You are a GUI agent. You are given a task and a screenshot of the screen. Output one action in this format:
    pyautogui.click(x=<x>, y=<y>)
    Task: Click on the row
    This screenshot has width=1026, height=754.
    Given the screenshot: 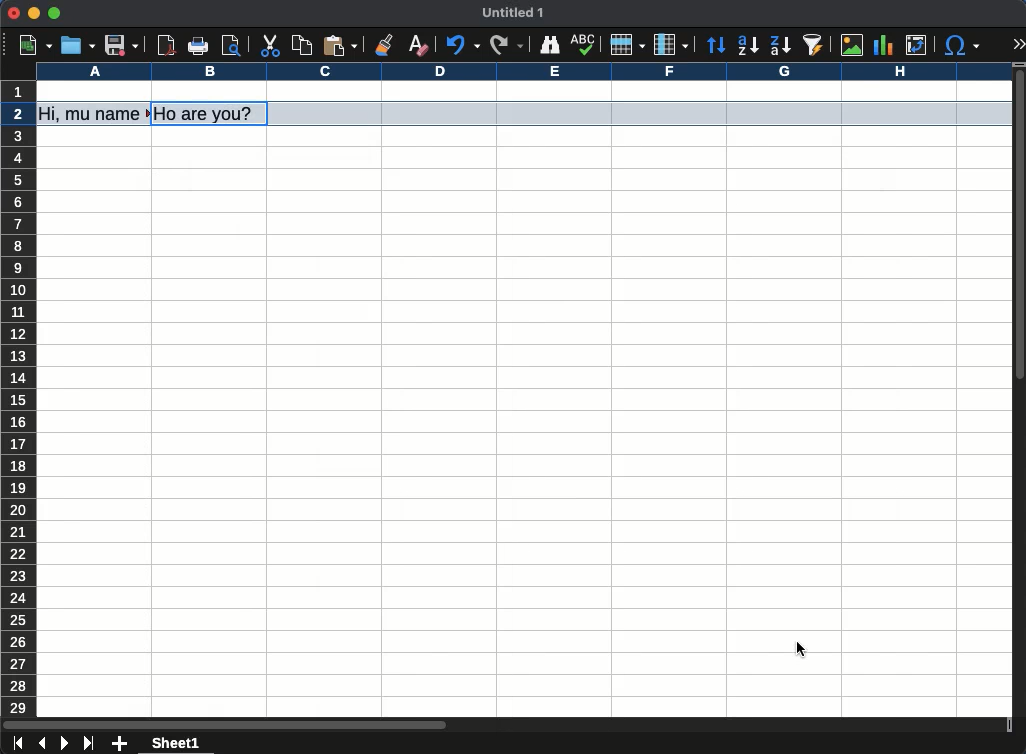 What is the action you would take?
    pyautogui.click(x=627, y=46)
    